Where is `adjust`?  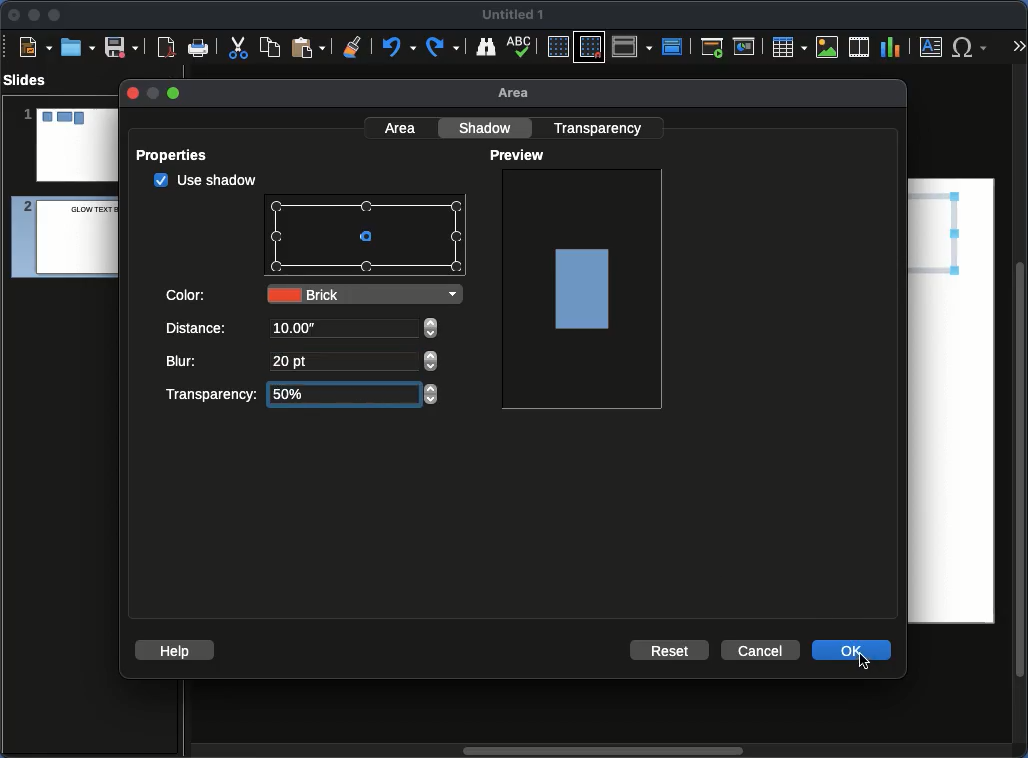
adjust is located at coordinates (431, 329).